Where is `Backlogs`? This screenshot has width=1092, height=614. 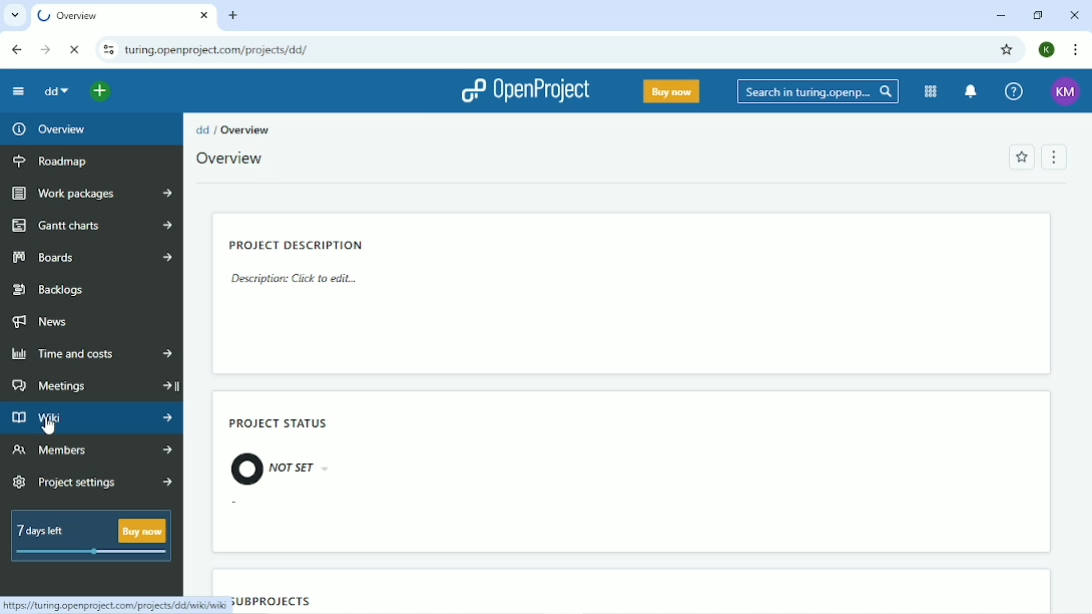 Backlogs is located at coordinates (59, 291).